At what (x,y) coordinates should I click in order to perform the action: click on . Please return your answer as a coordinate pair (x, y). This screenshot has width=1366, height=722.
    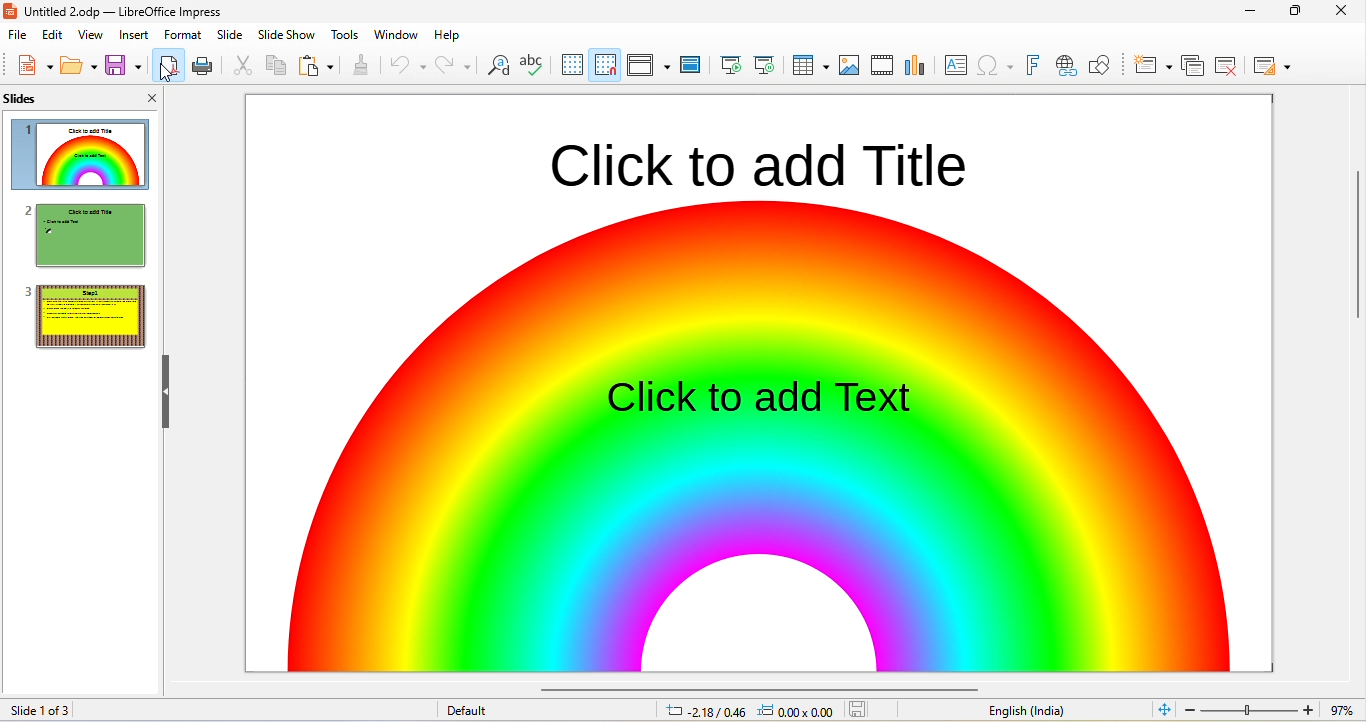
    Looking at the image, I should click on (317, 64).